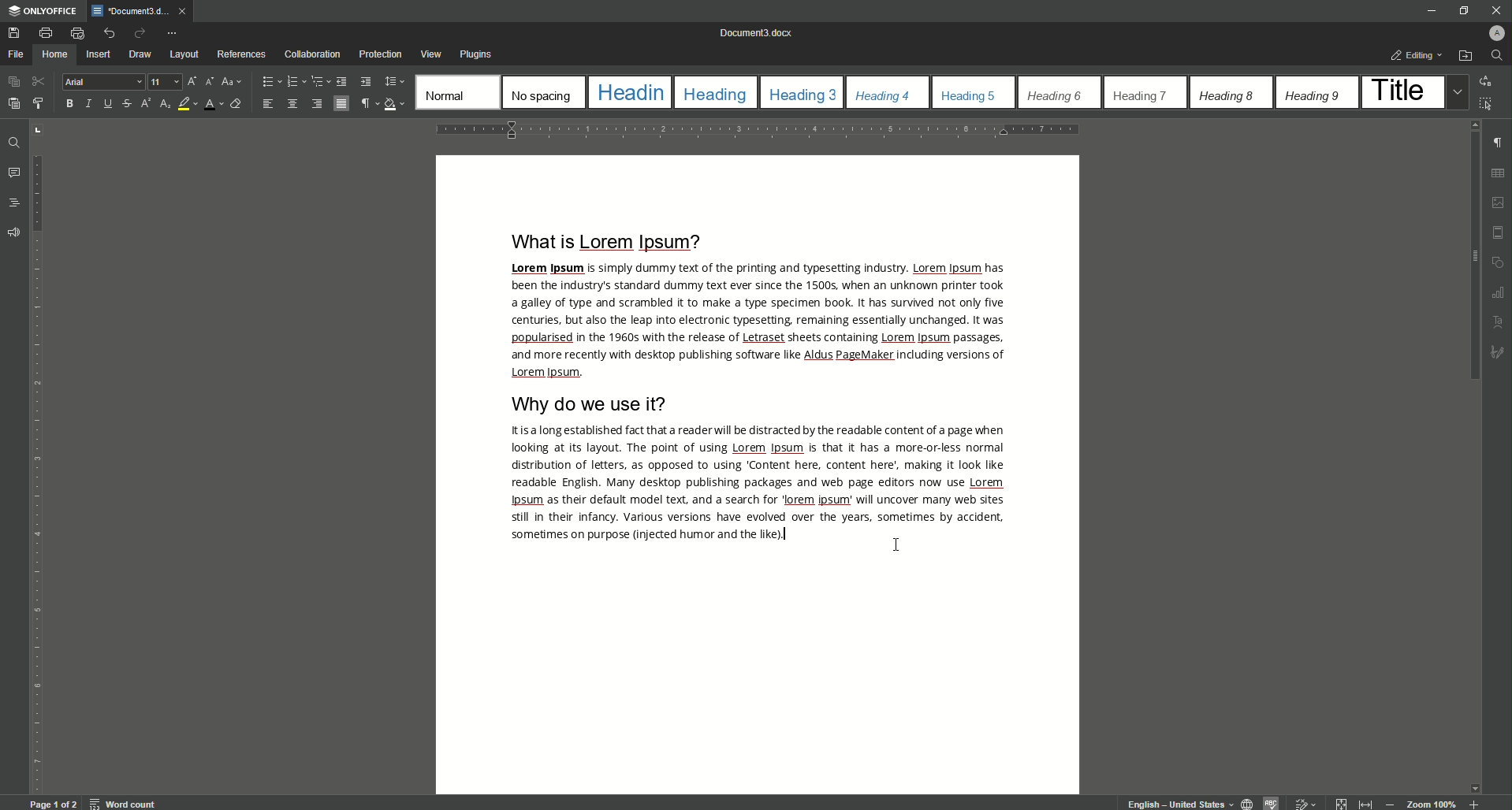 The height and width of the screenshot is (810, 1512). Describe the element at coordinates (166, 105) in the screenshot. I see `Subscript` at that location.